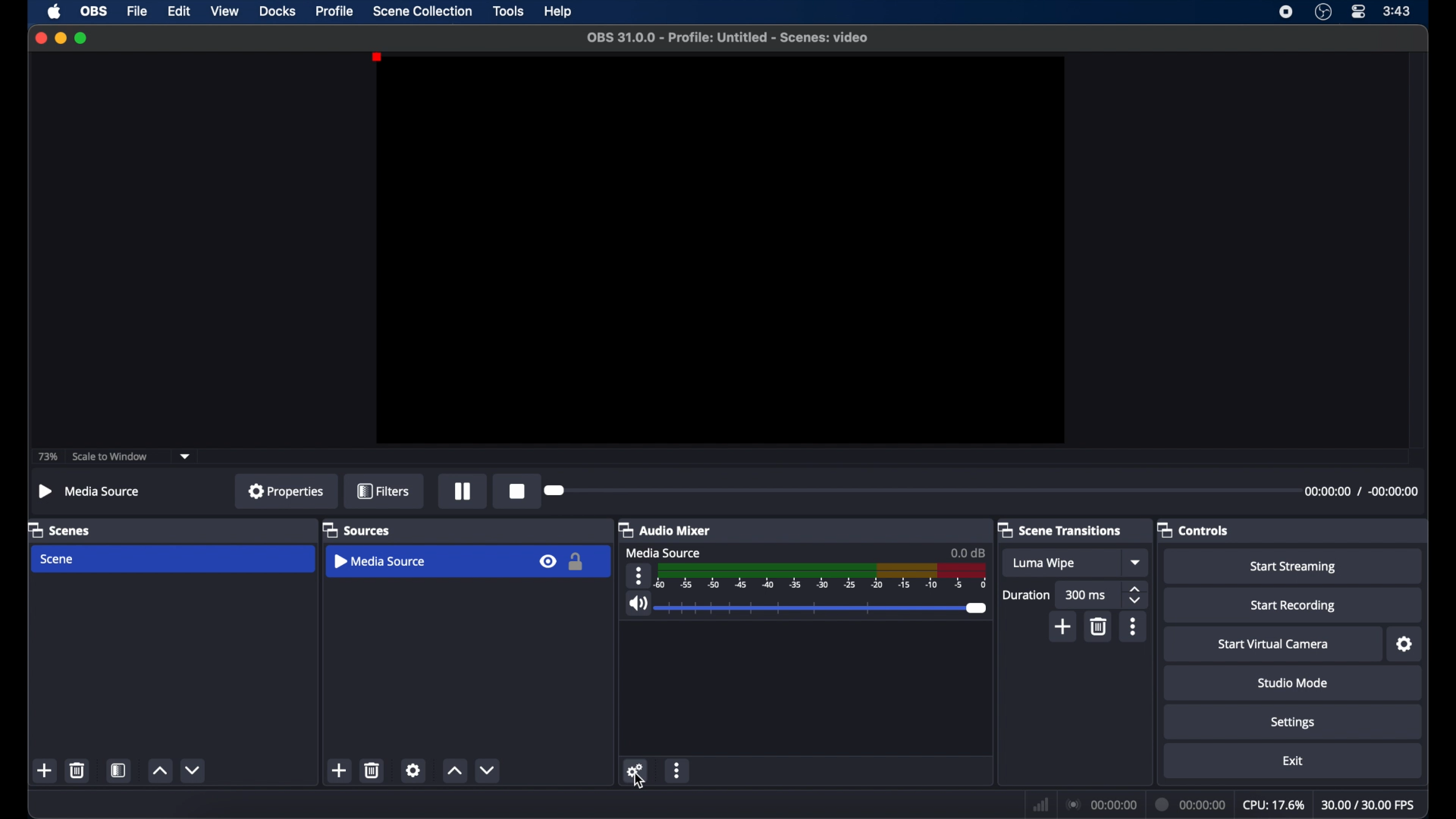 This screenshot has height=819, width=1456. I want to click on add, so click(45, 770).